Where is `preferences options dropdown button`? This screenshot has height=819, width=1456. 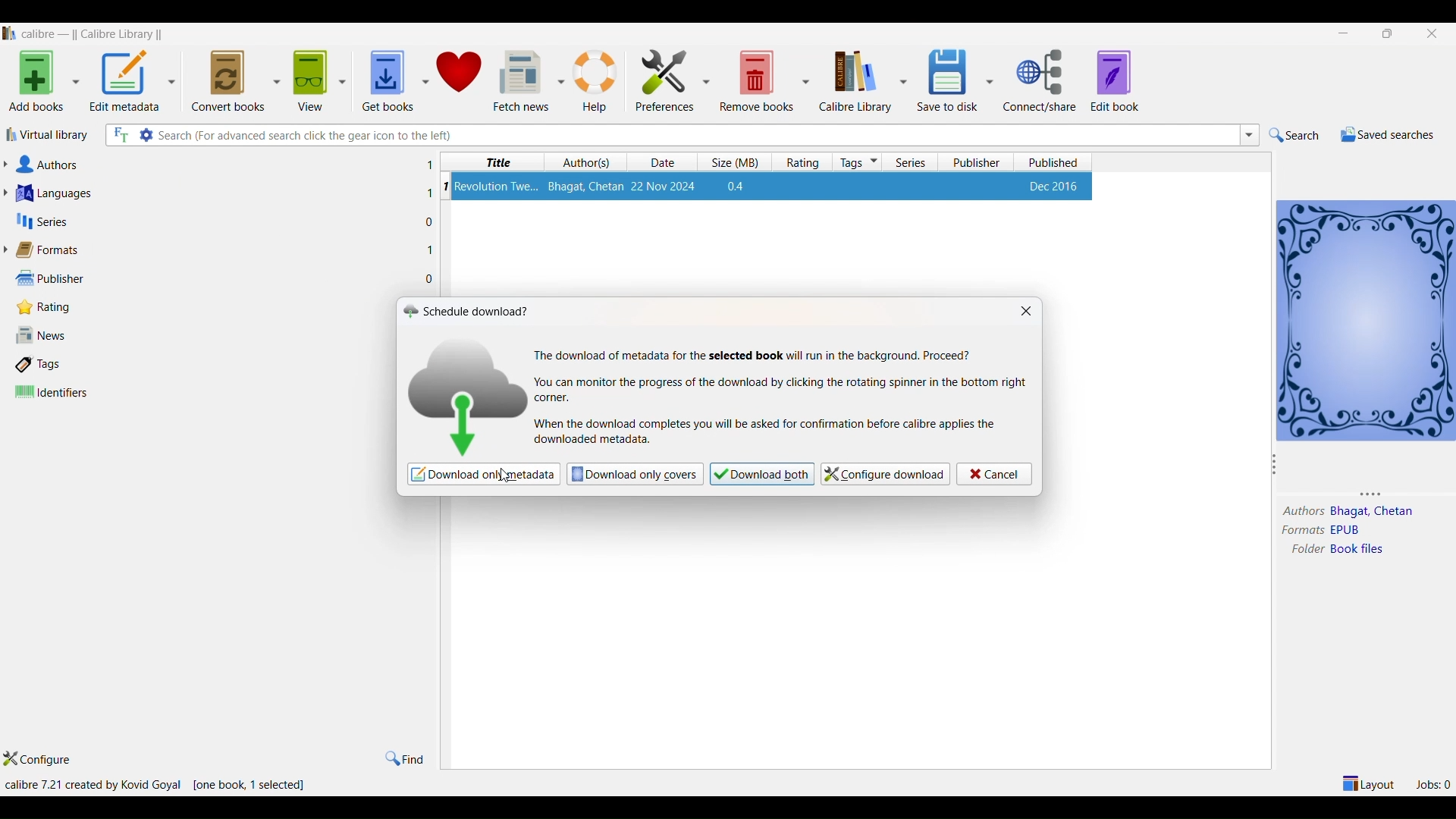
preferences options dropdown button is located at coordinates (708, 80).